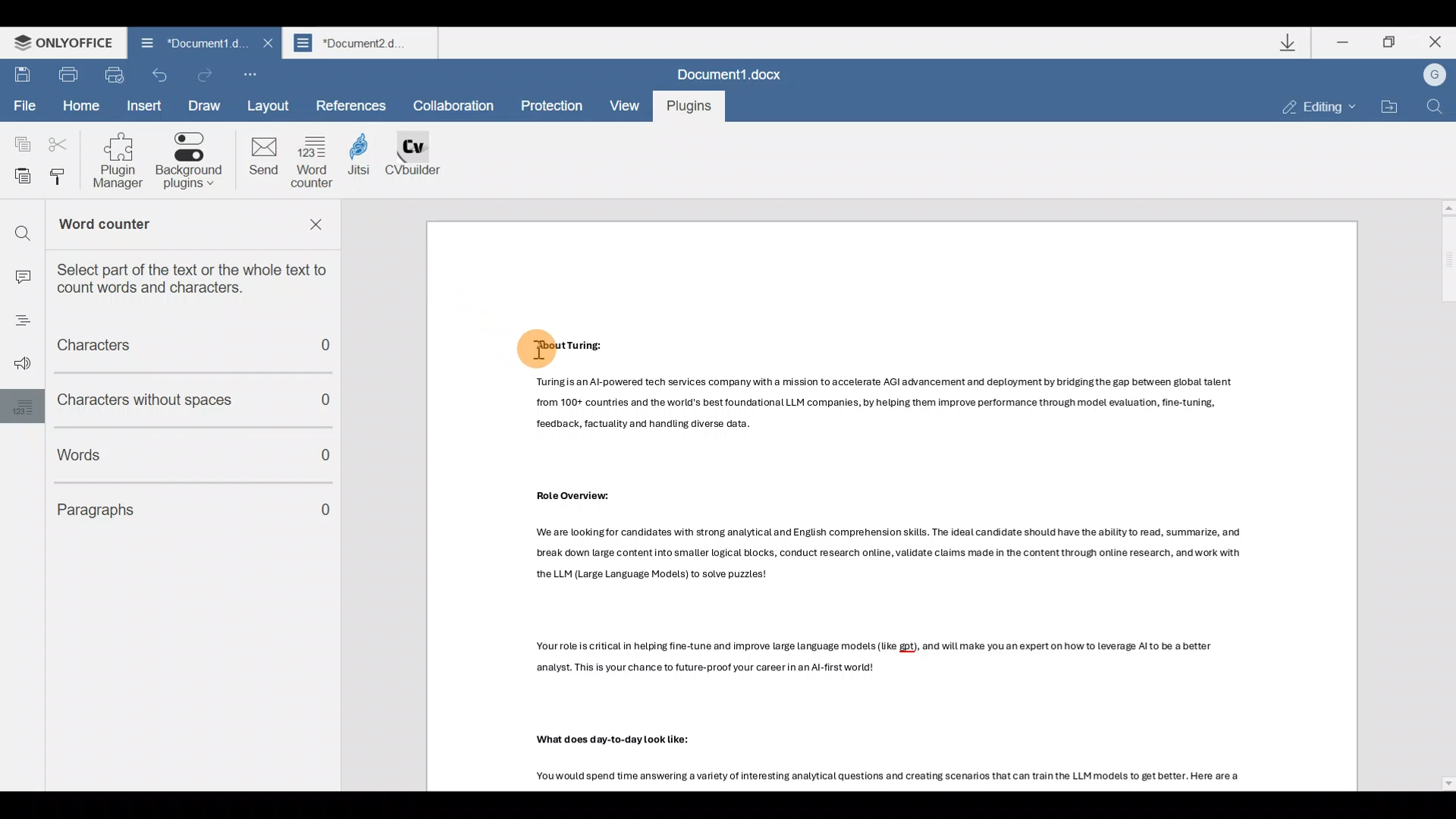 This screenshot has width=1456, height=819. What do you see at coordinates (459, 106) in the screenshot?
I see `Collaboration` at bounding box center [459, 106].